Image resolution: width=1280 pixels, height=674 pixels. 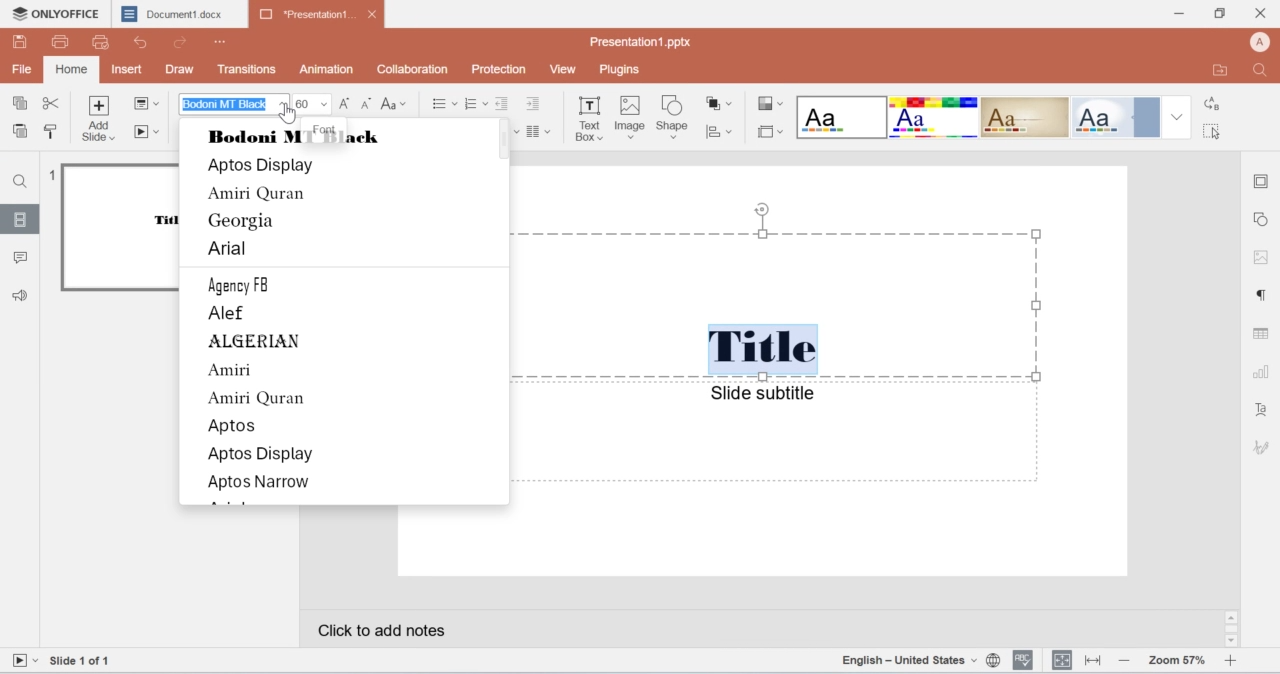 What do you see at coordinates (1023, 661) in the screenshot?
I see `spell check` at bounding box center [1023, 661].